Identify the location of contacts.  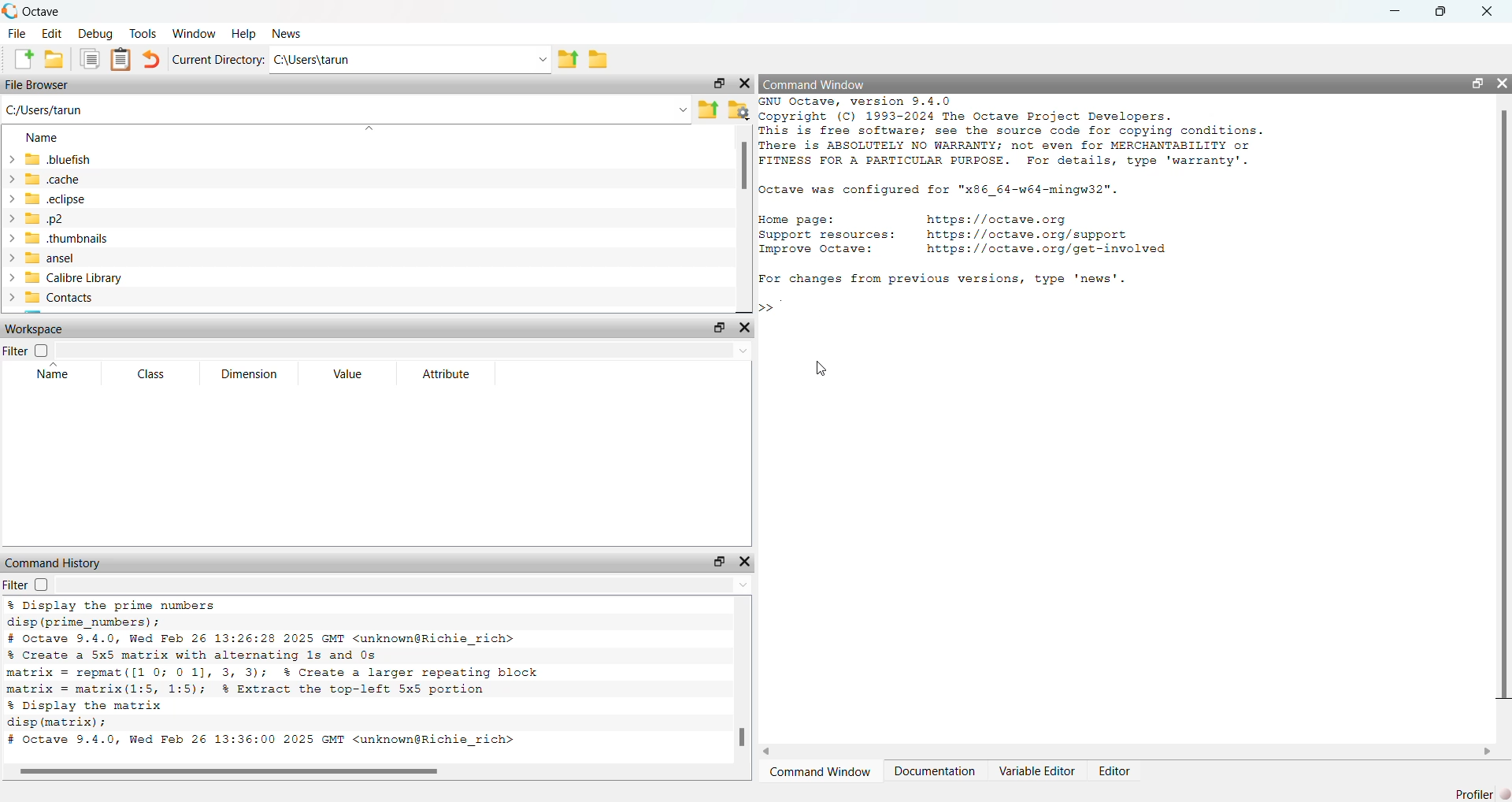
(75, 300).